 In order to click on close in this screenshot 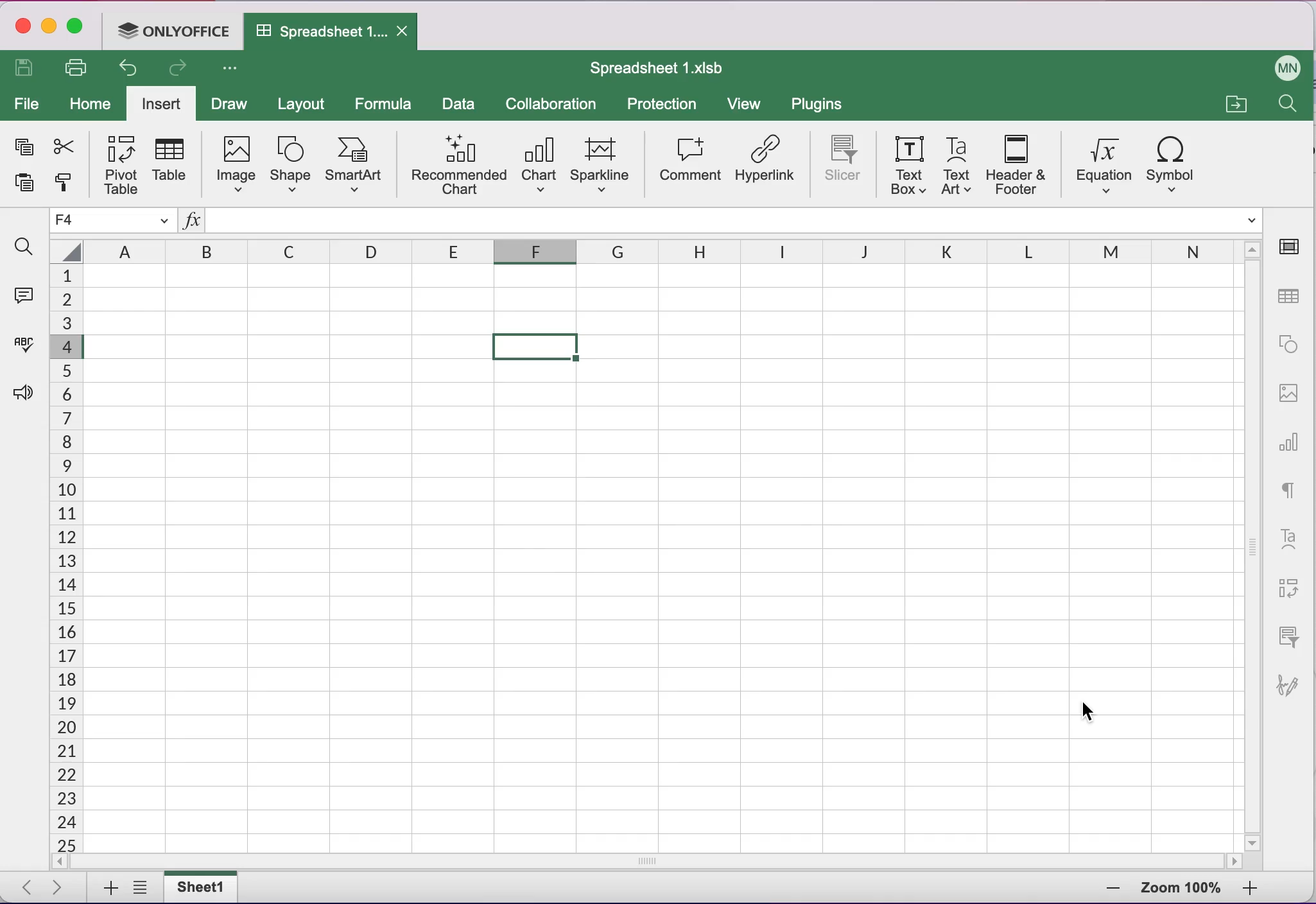, I will do `click(21, 25)`.